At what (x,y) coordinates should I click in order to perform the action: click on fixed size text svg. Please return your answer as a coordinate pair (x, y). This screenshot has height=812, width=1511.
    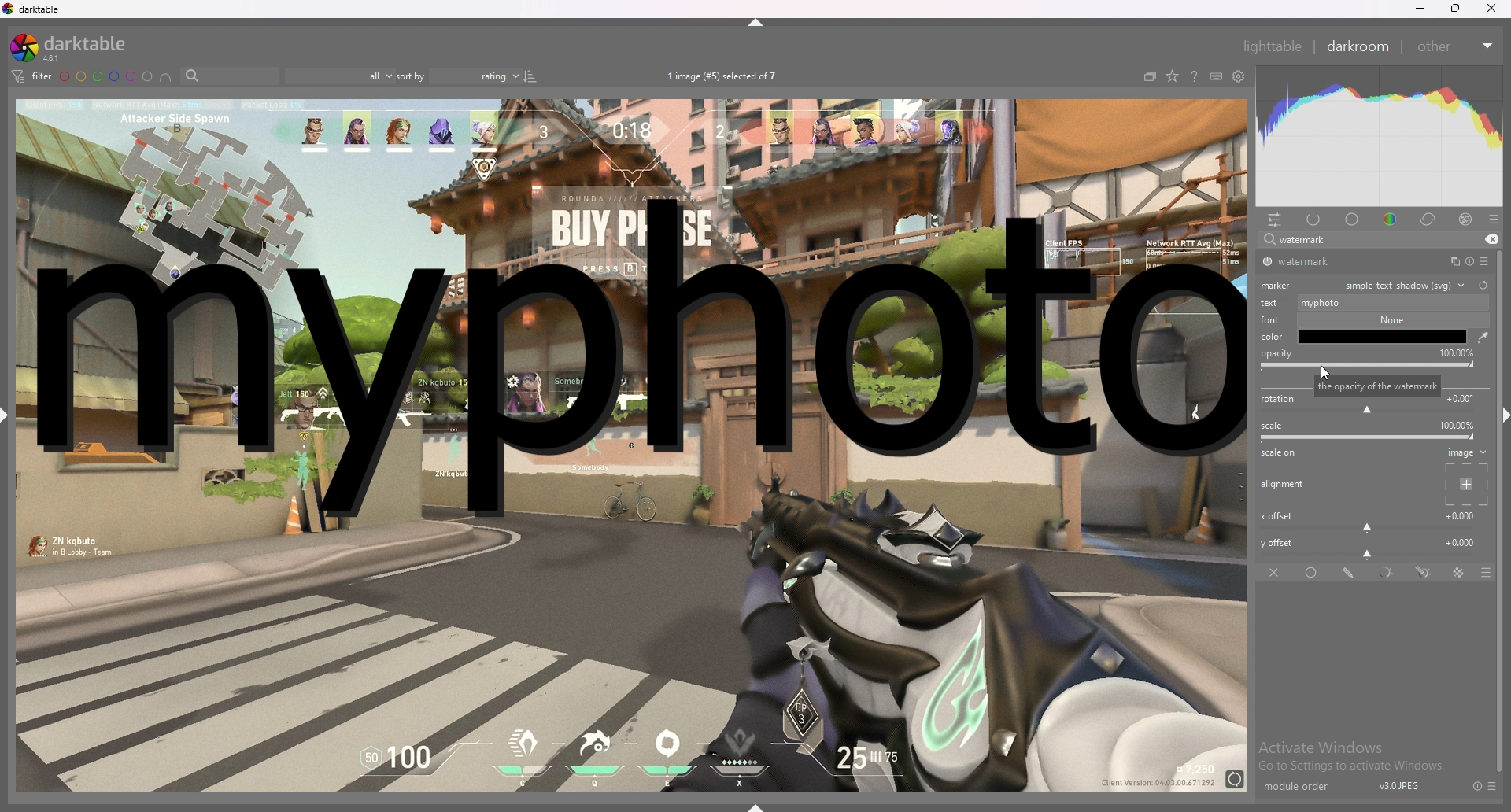
    Looking at the image, I should click on (1385, 301).